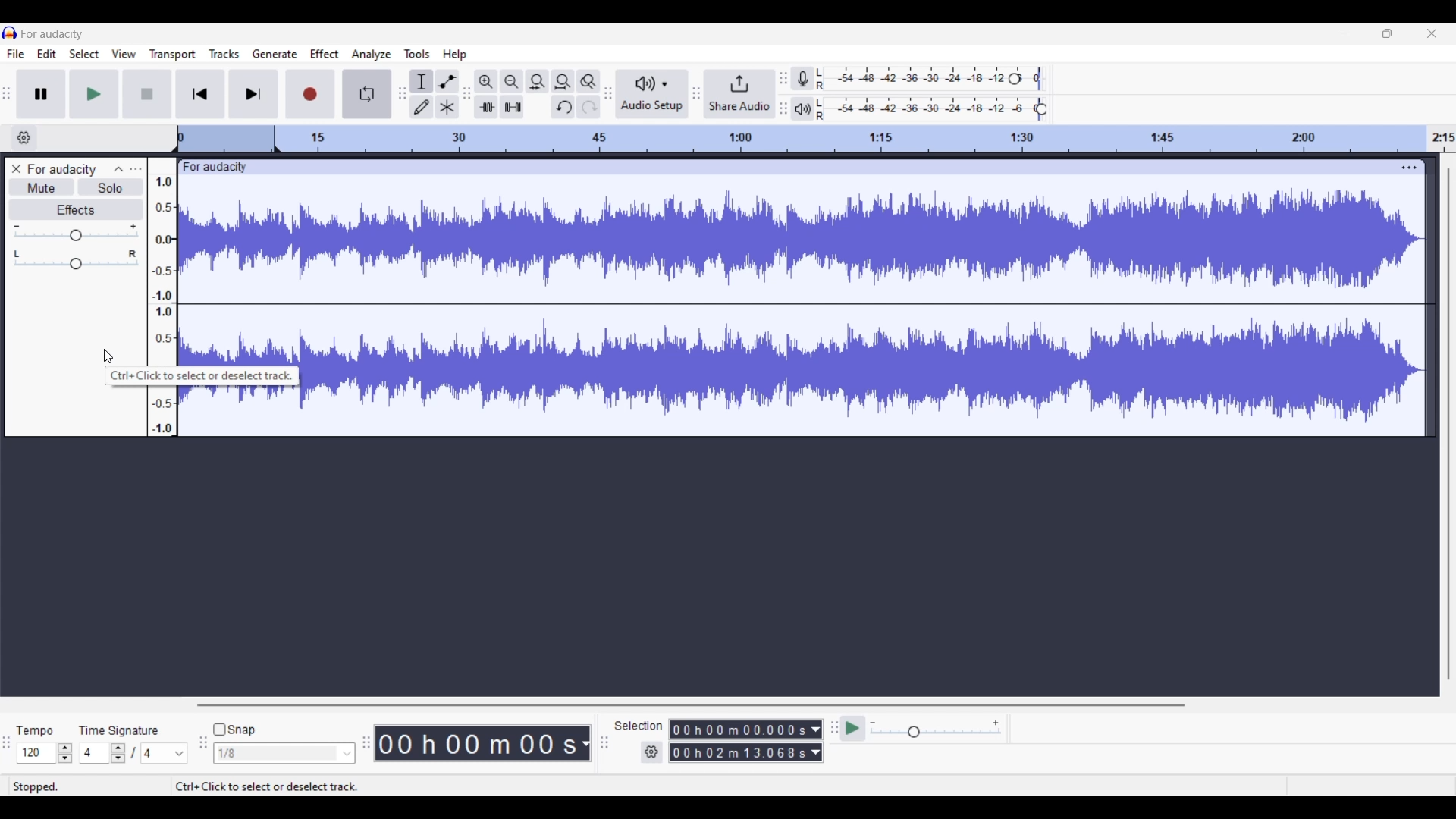 Image resolution: width=1456 pixels, height=819 pixels. Describe the element at coordinates (486, 106) in the screenshot. I see `Trim audio outside selection` at that location.